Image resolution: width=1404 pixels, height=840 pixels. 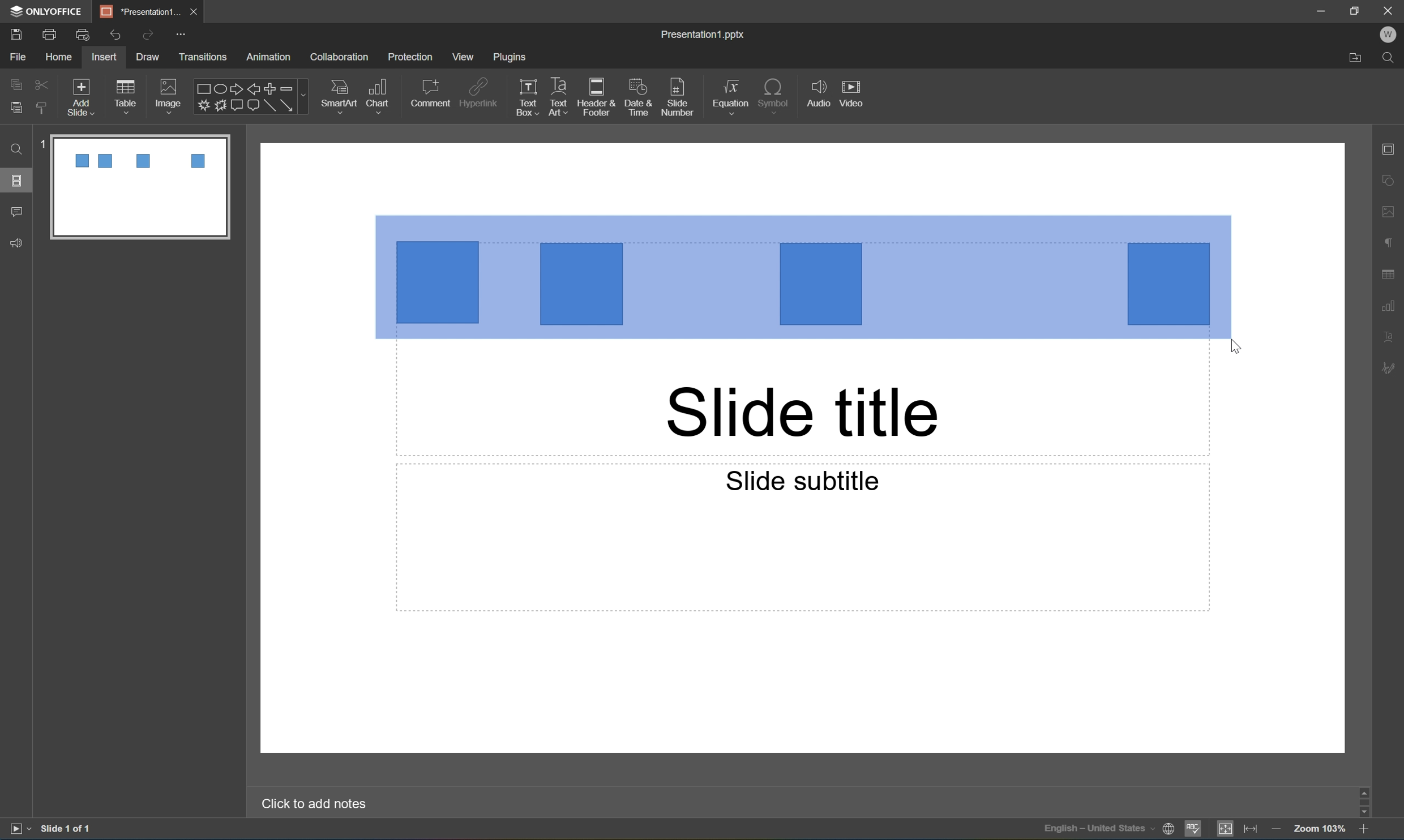 I want to click on table settings, so click(x=1389, y=272).